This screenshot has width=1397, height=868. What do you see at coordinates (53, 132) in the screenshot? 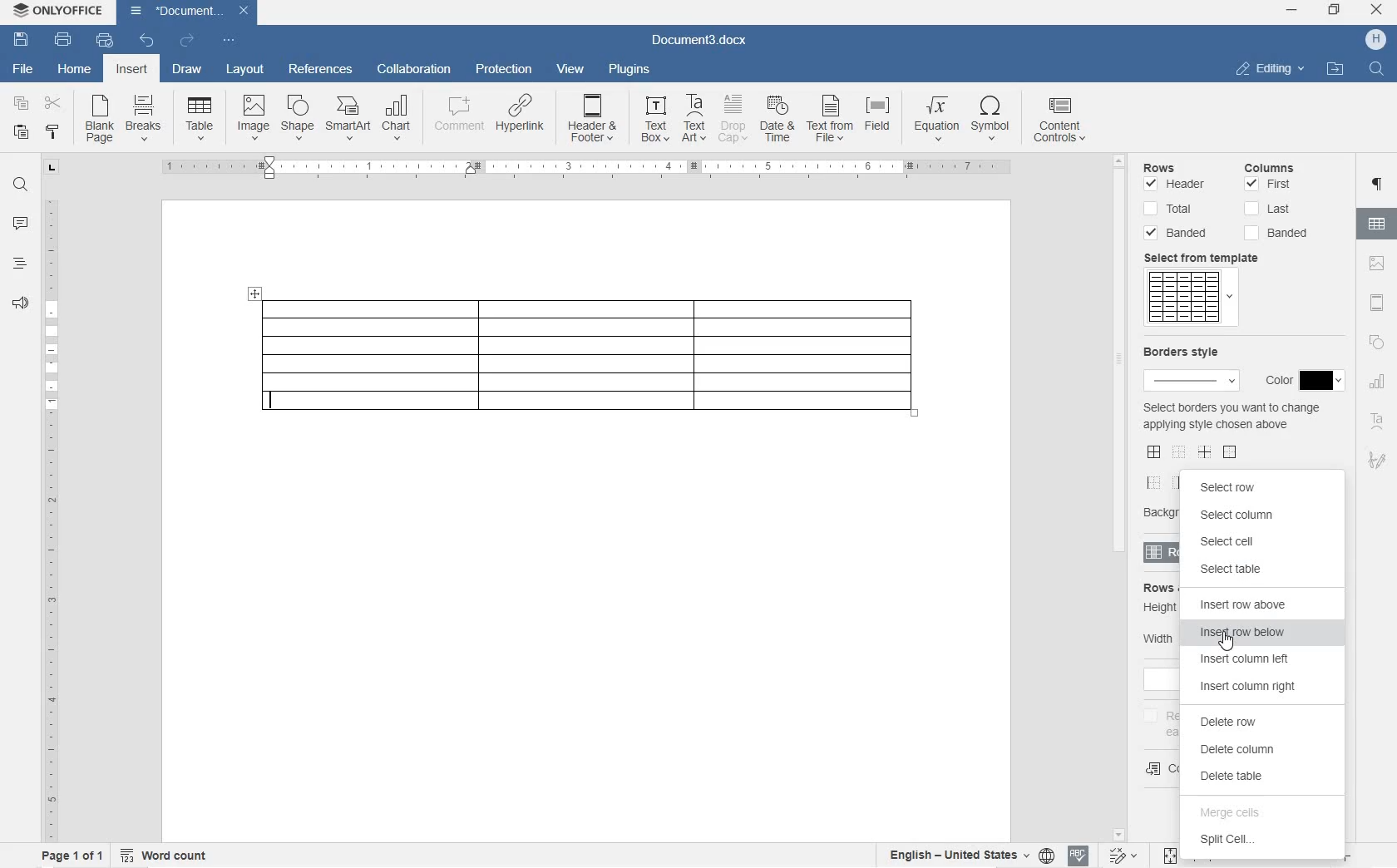
I see `COPY STYLE` at bounding box center [53, 132].